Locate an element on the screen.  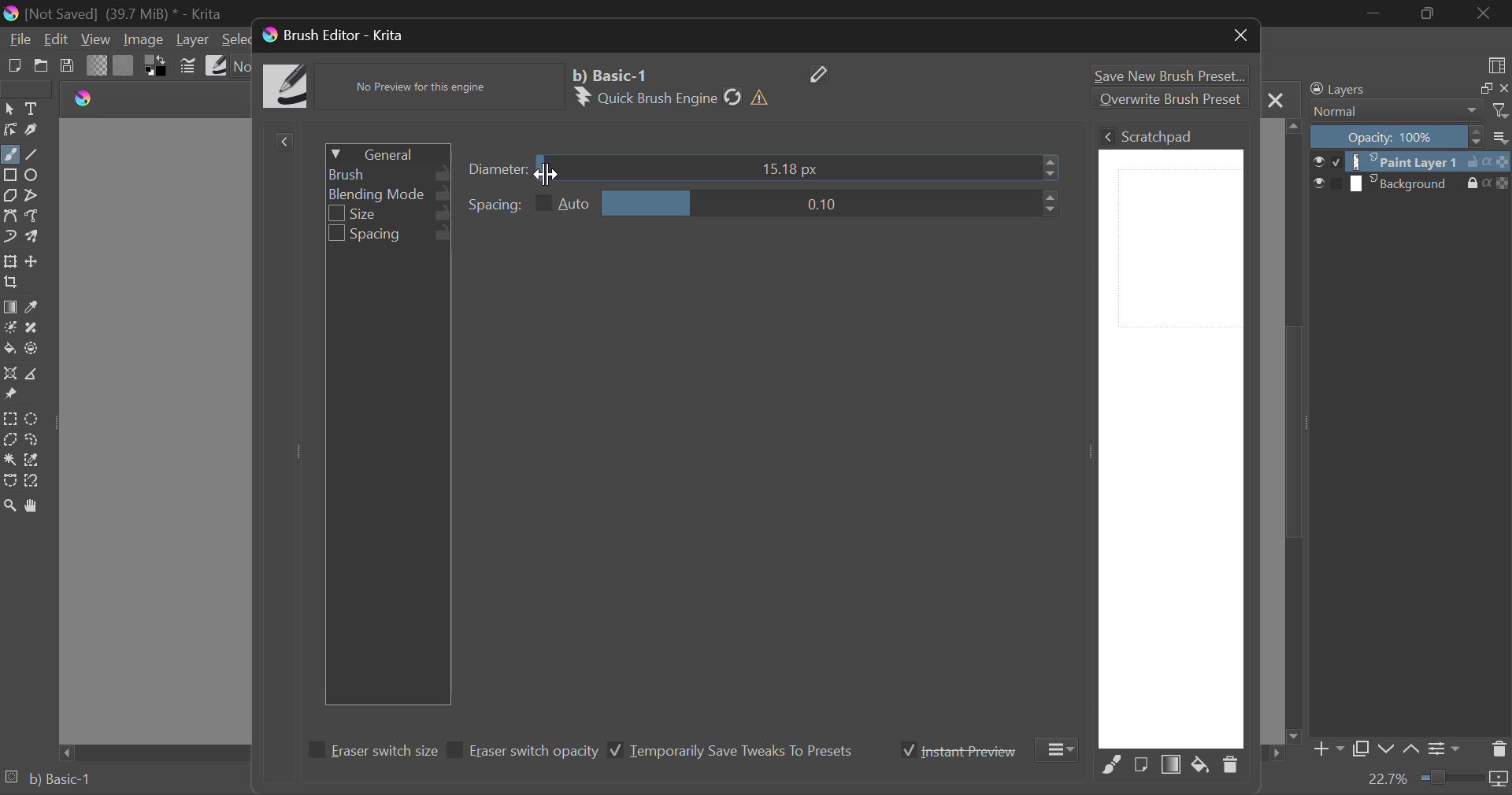
Layer Settings is located at coordinates (1446, 749).